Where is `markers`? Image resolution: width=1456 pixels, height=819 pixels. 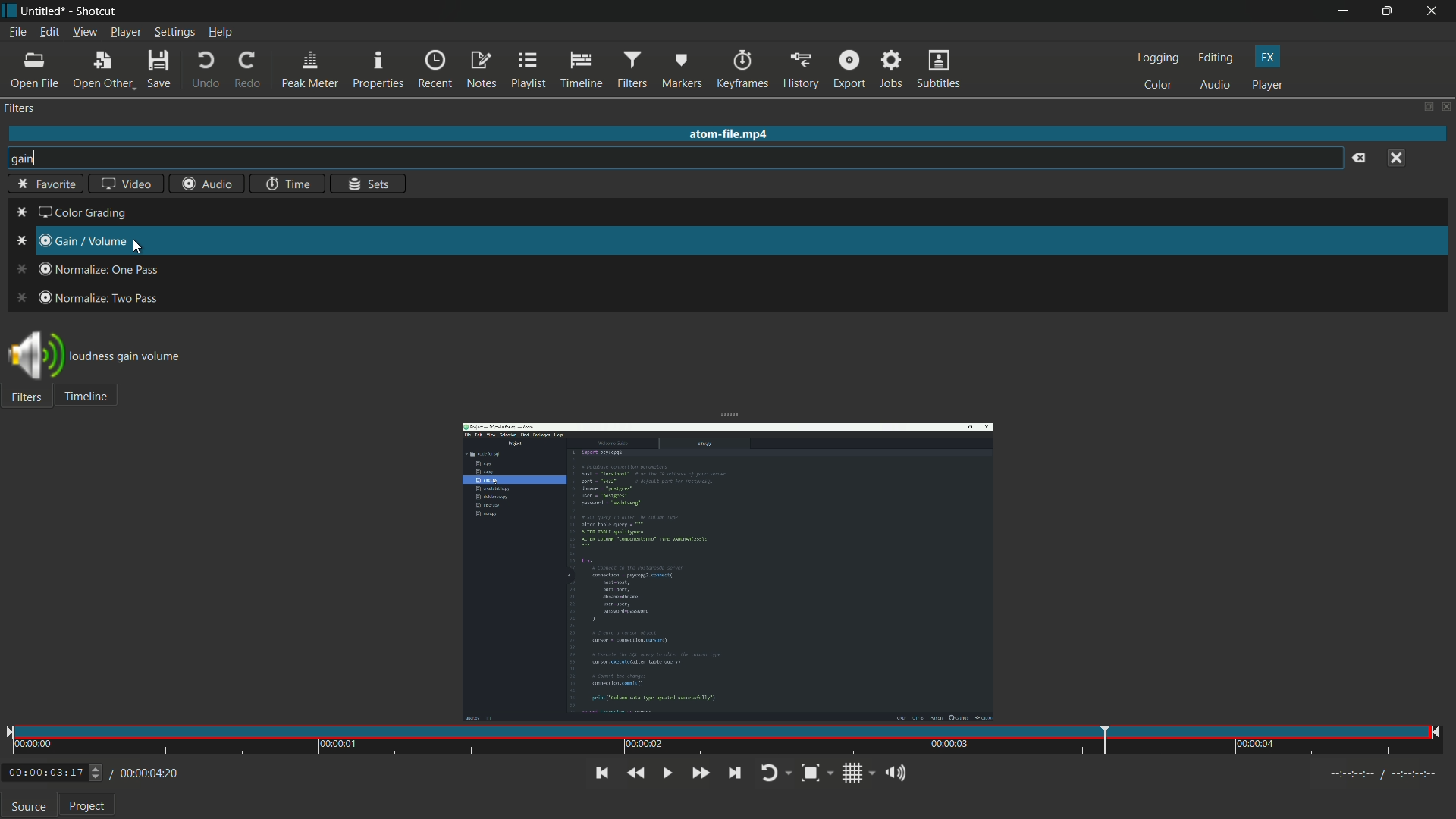 markers is located at coordinates (681, 71).